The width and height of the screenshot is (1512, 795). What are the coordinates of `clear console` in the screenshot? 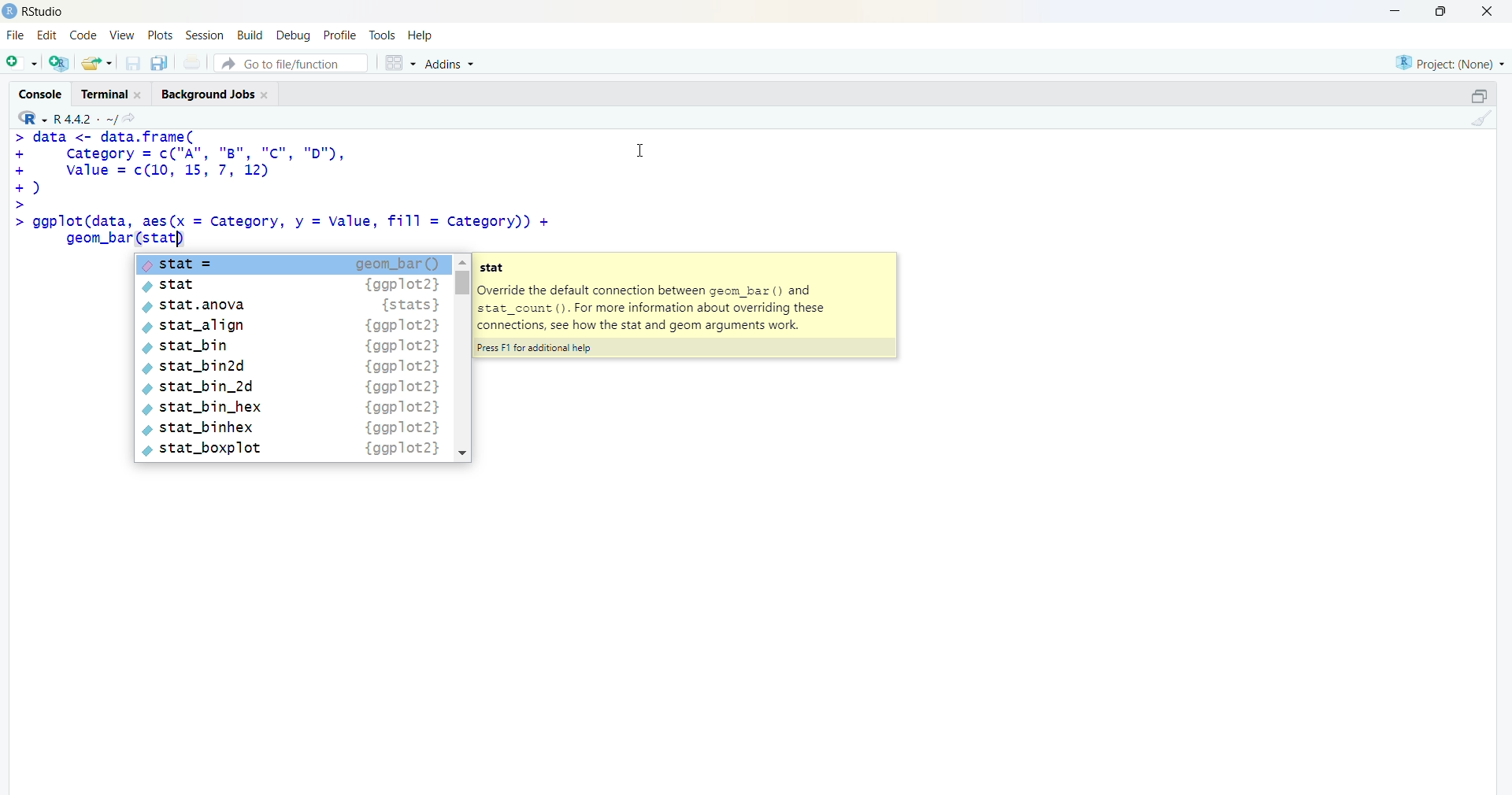 It's located at (1479, 118).